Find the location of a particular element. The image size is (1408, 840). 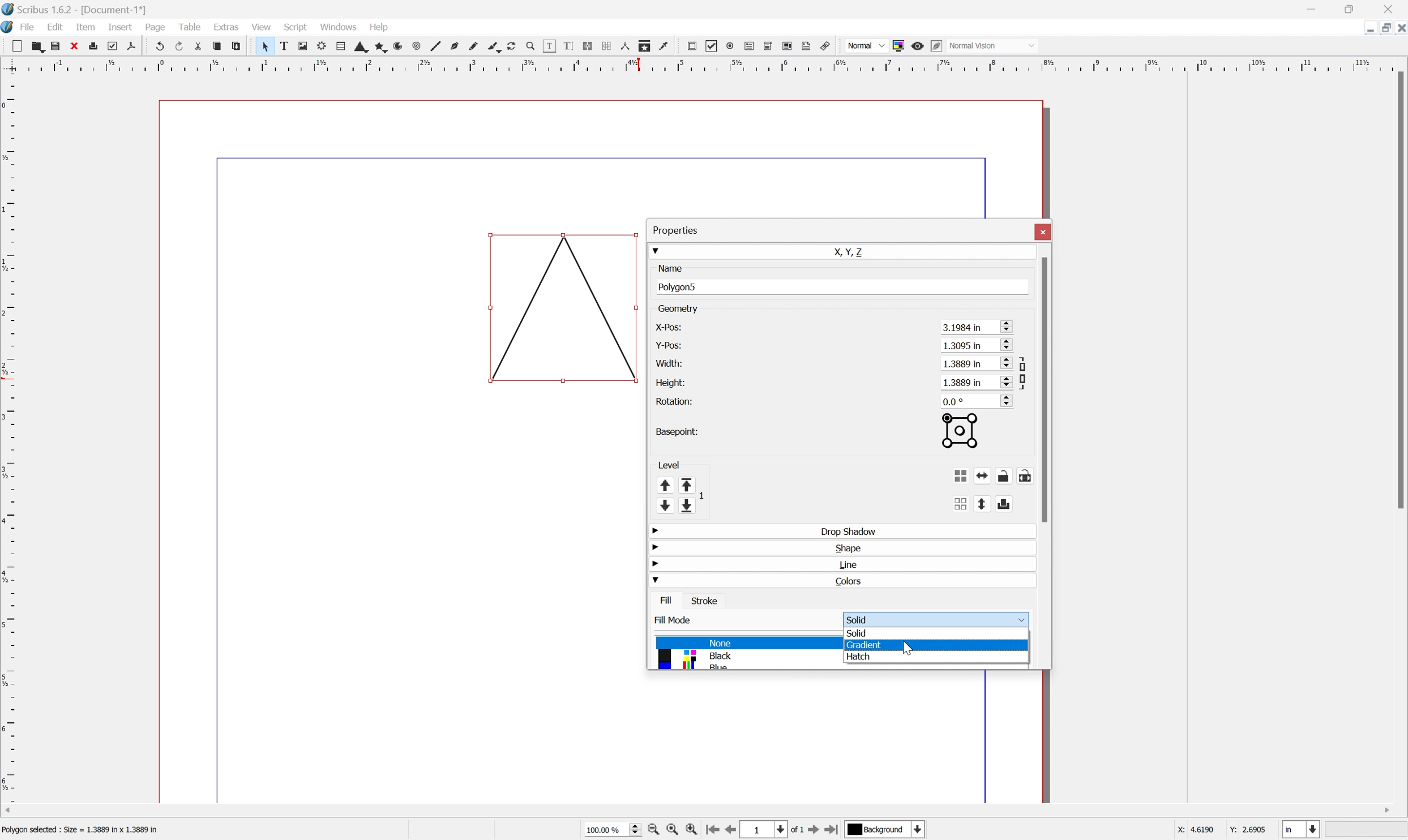

PDF text field is located at coordinates (747, 46).